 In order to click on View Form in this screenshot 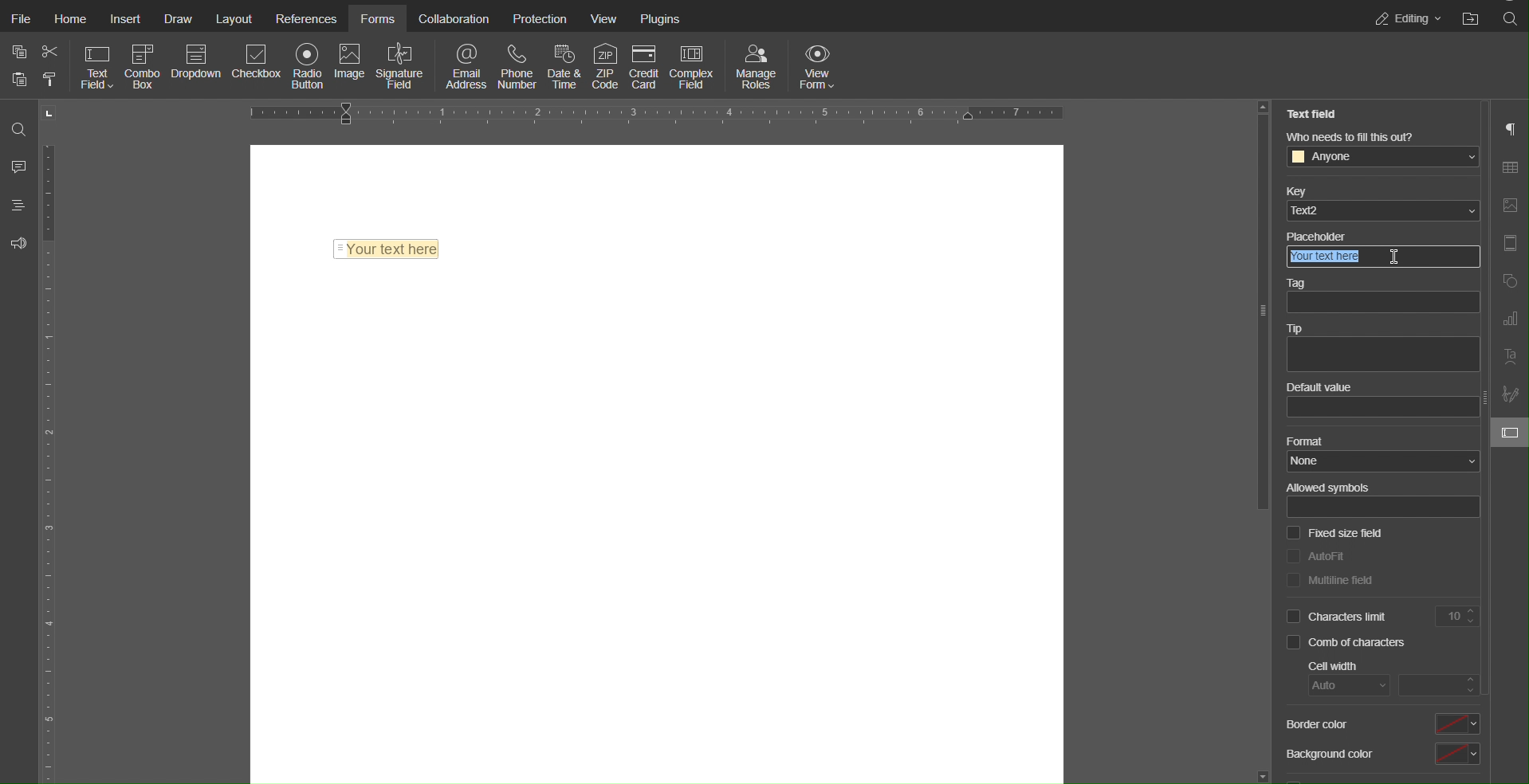, I will do `click(820, 66)`.